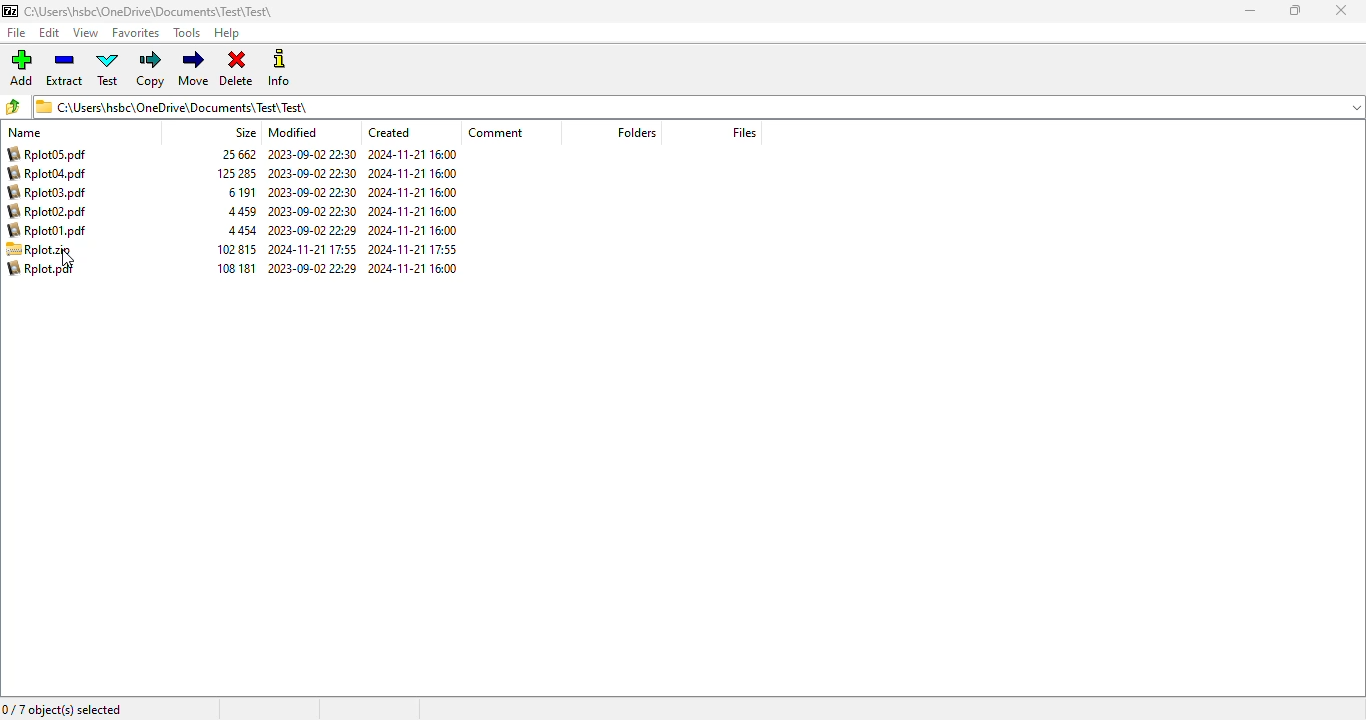  Describe the element at coordinates (312, 230) in the screenshot. I see `2023-09-02 22:29` at that location.